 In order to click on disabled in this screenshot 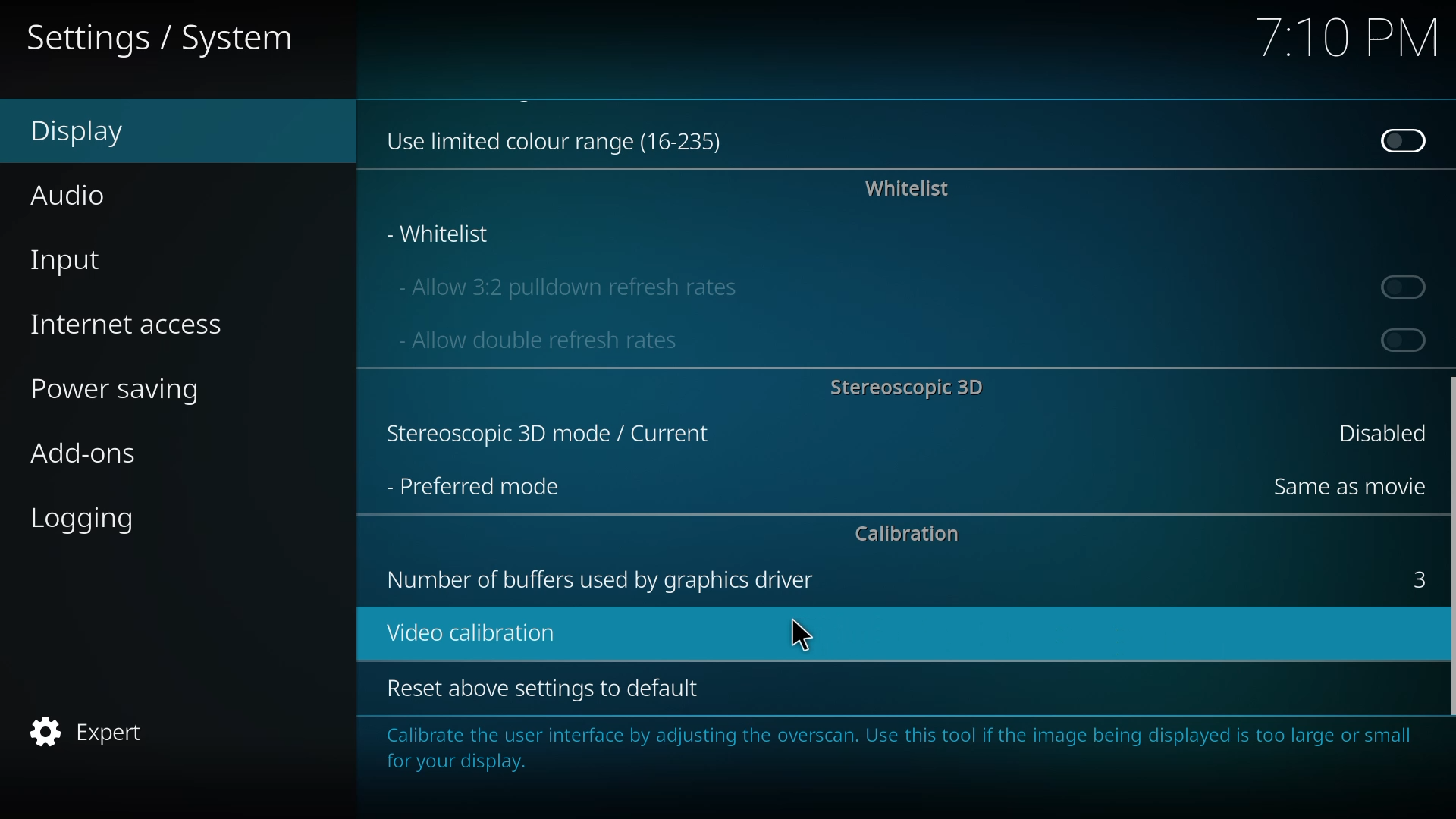, I will do `click(1400, 140)`.